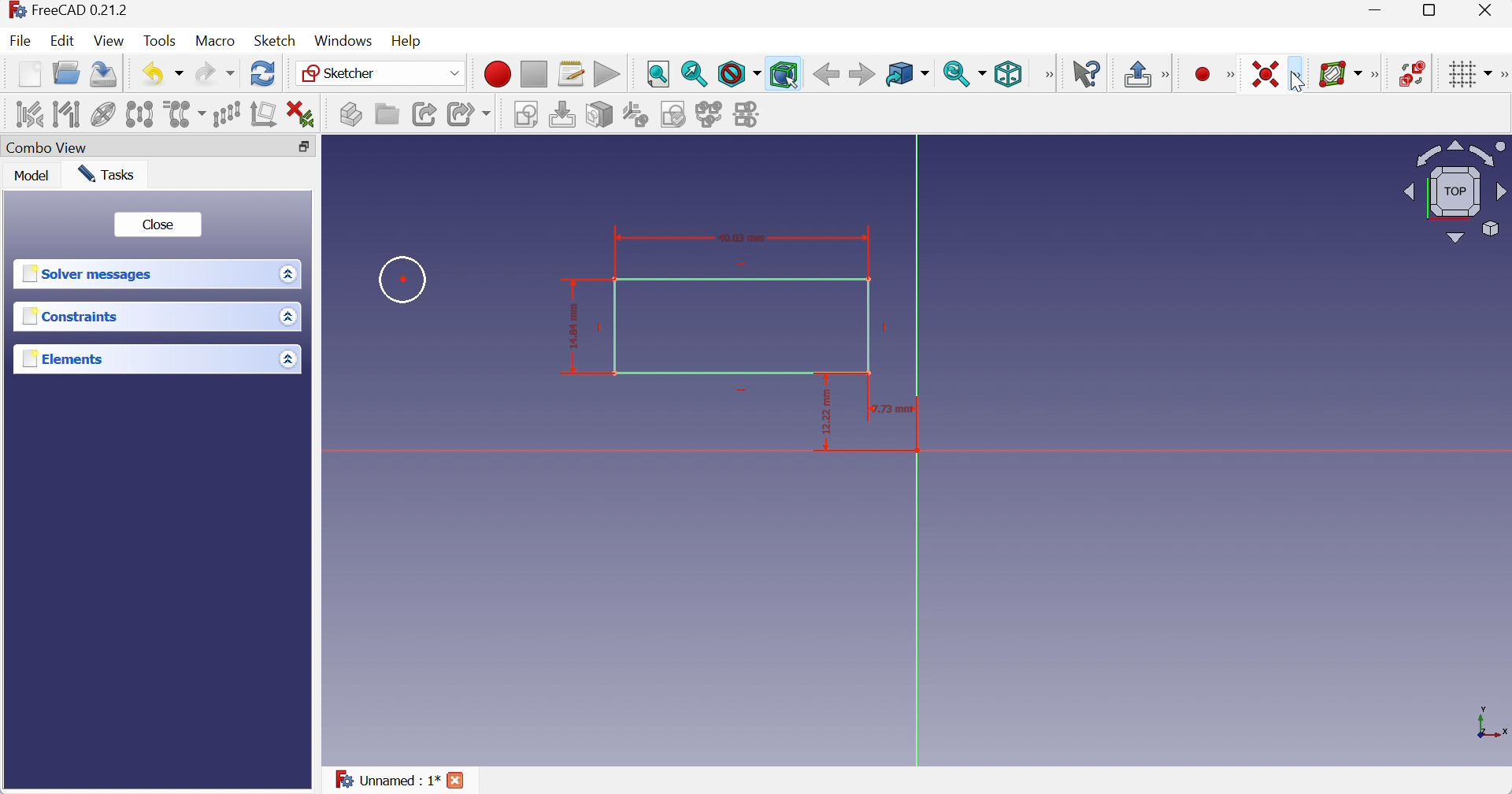  Describe the element at coordinates (1412, 73) in the screenshot. I see `Switch virtual space` at that location.